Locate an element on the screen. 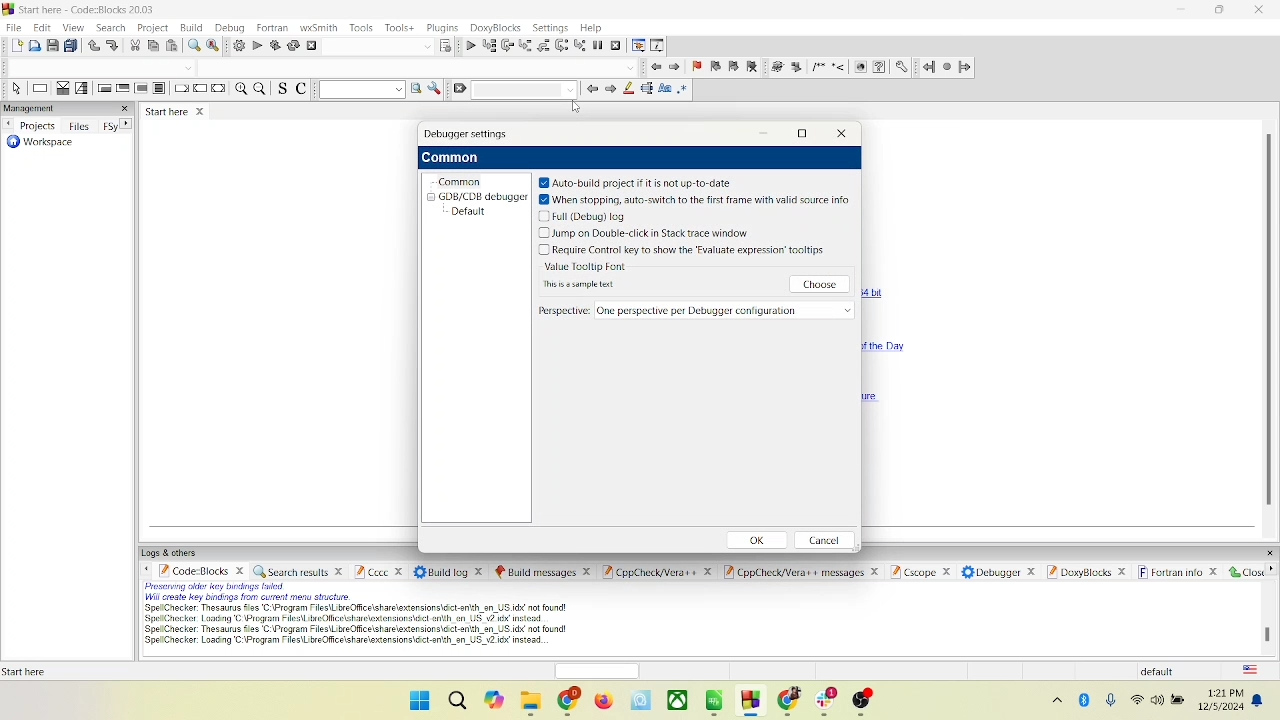 This screenshot has height=720, width=1280. go forward is located at coordinates (611, 89).